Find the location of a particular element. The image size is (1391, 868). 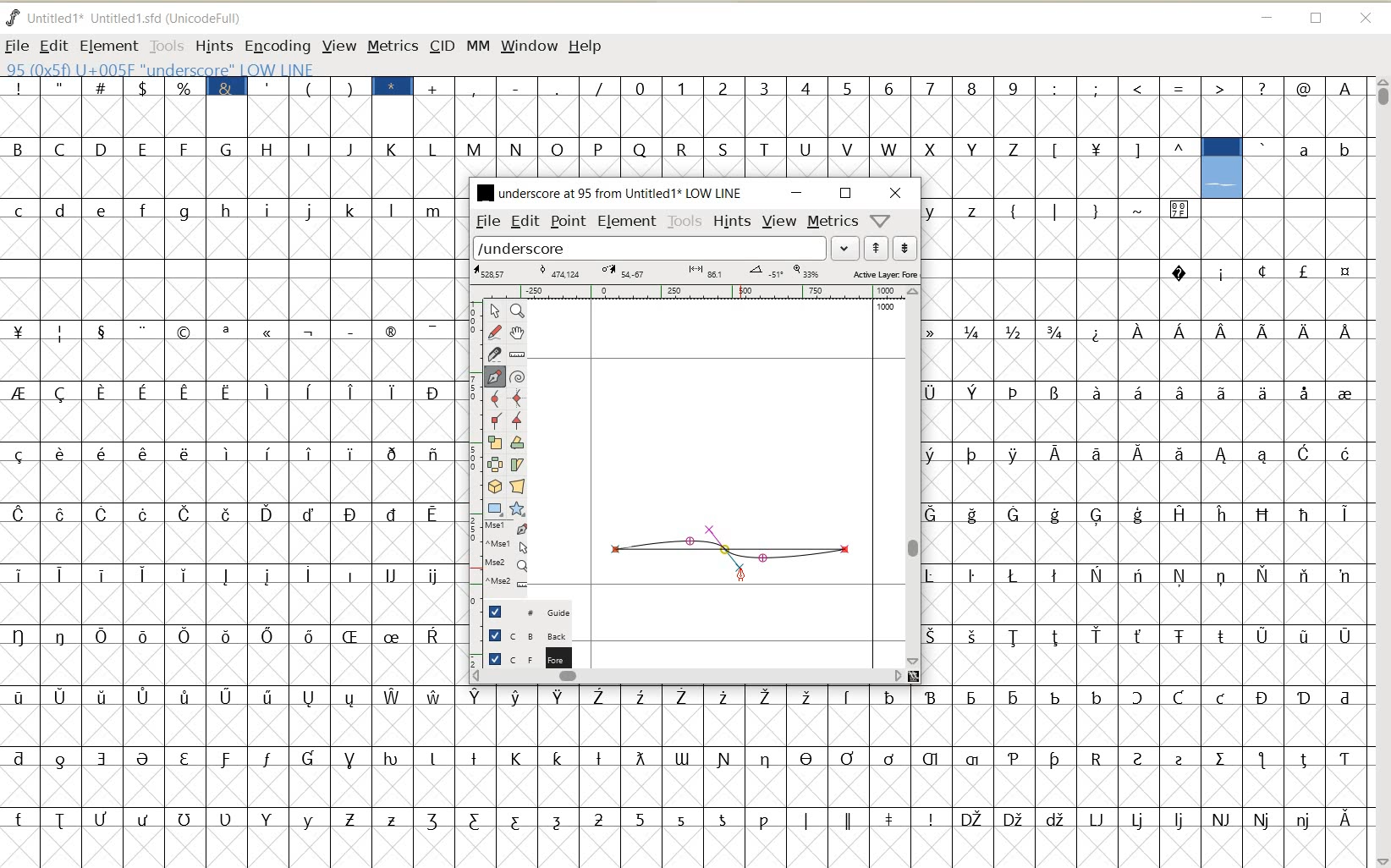

GLYPHY CHARACTERS is located at coordinates (1284, 524).